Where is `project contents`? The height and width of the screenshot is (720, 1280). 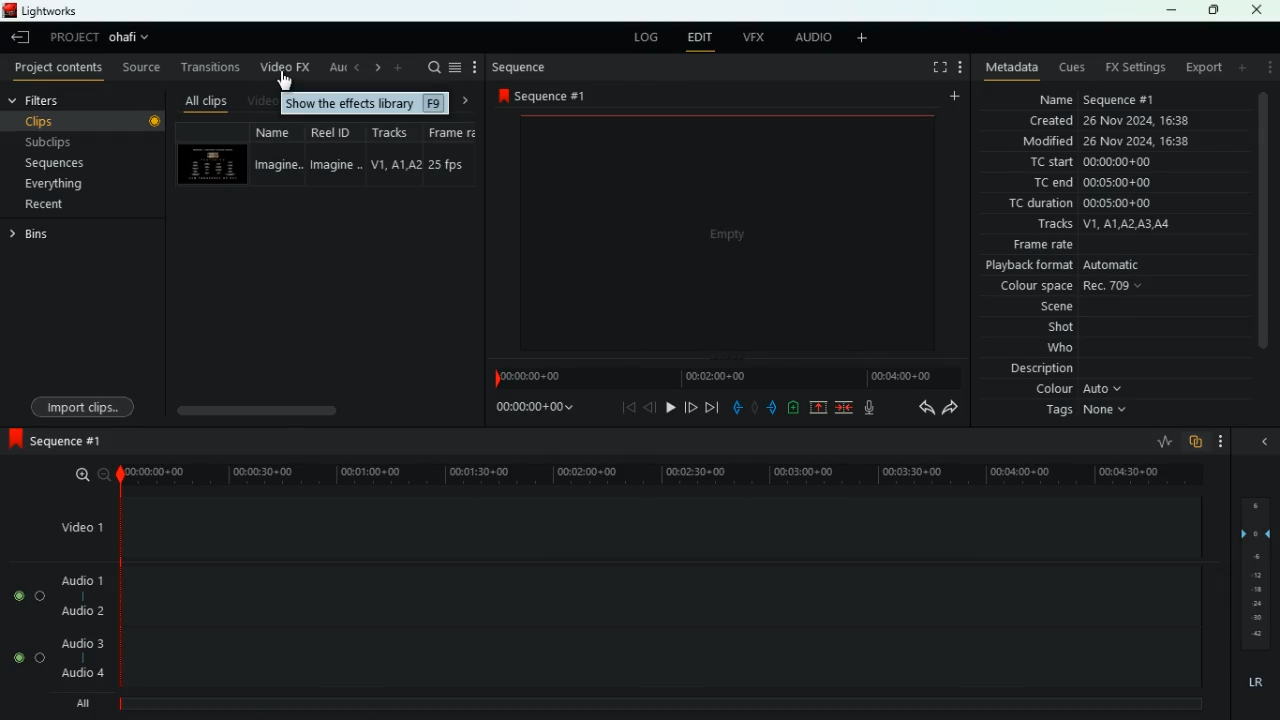 project contents is located at coordinates (57, 68).